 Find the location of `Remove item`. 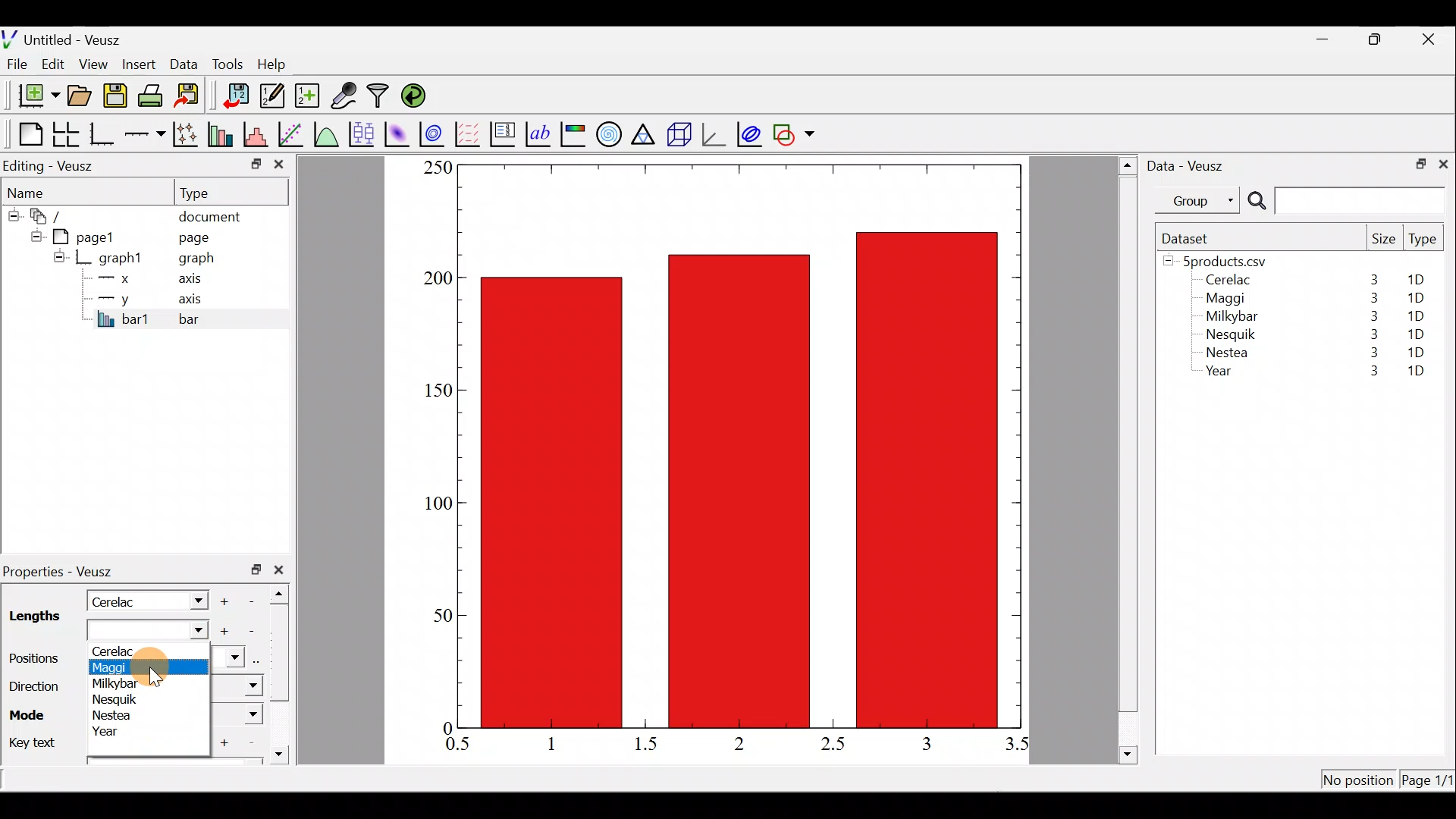

Remove item is located at coordinates (256, 600).